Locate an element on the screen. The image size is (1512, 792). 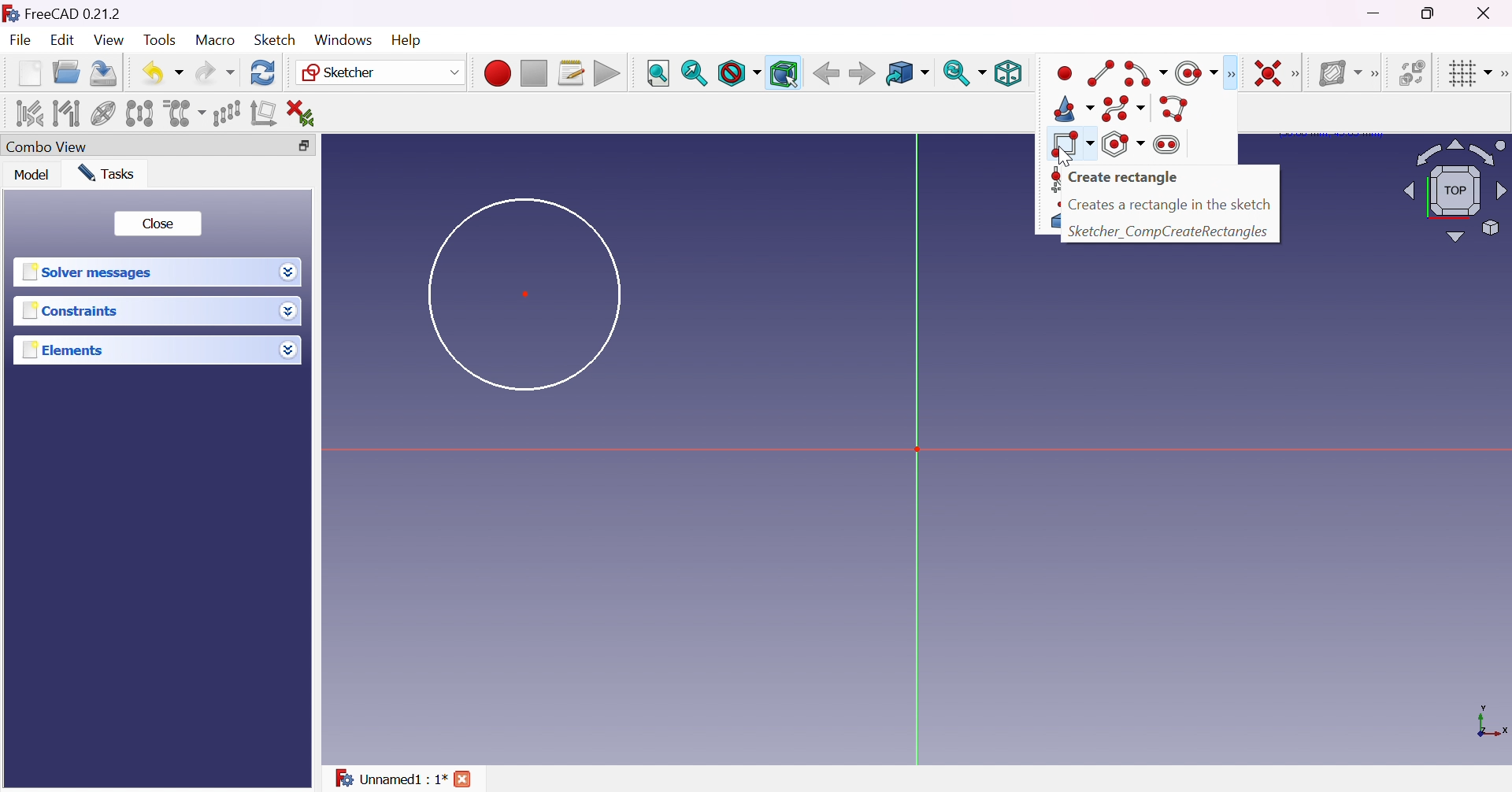
Macro is located at coordinates (216, 39).